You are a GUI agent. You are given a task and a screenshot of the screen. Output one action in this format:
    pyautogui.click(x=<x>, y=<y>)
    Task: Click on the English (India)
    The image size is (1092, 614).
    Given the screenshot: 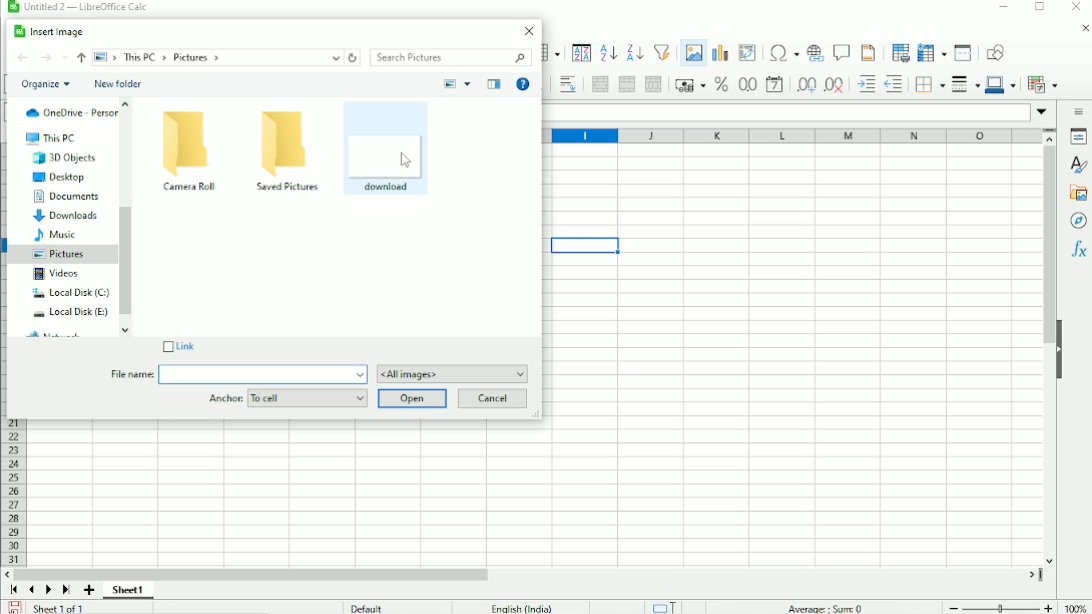 What is the action you would take?
    pyautogui.click(x=519, y=606)
    